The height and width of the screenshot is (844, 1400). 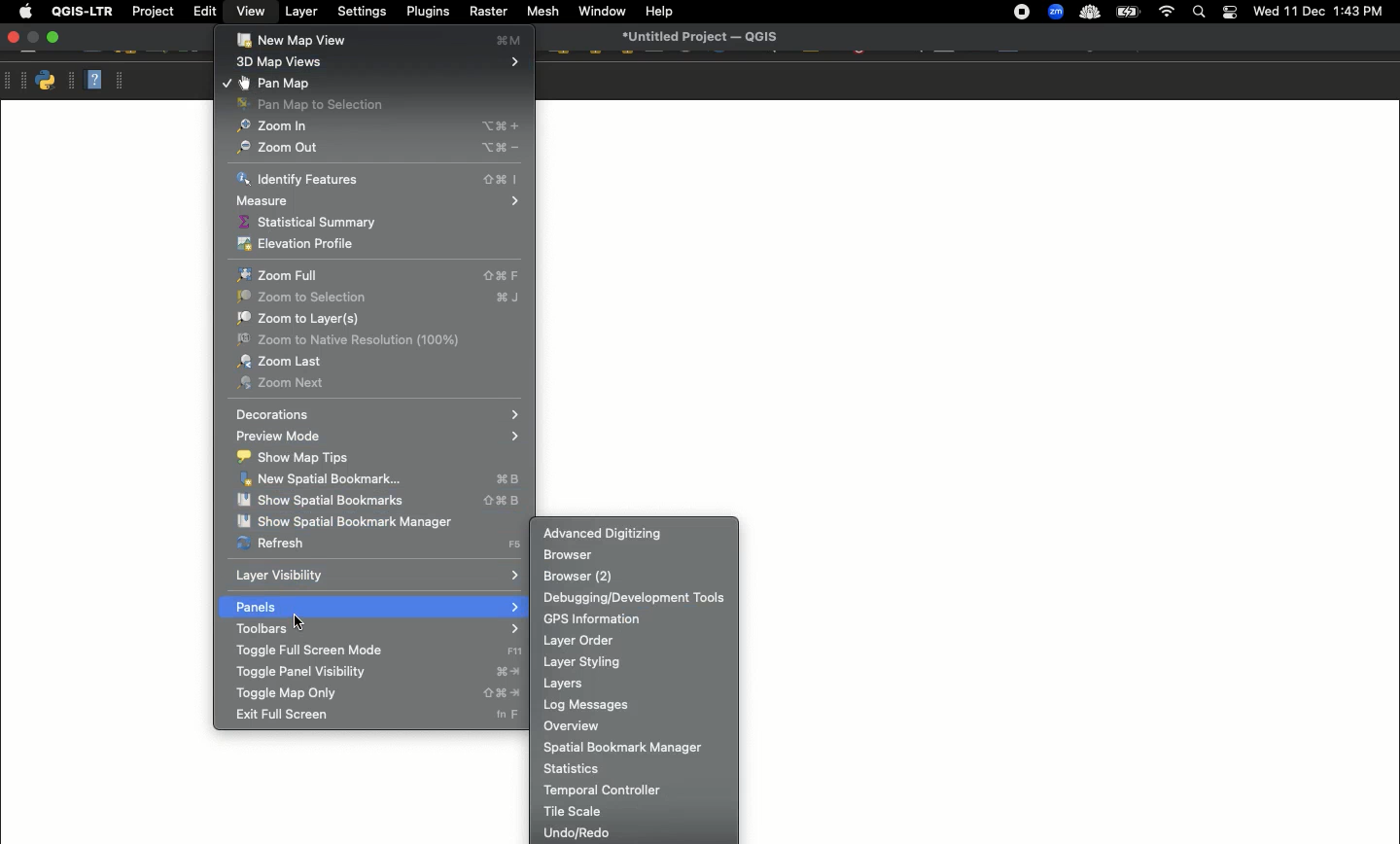 What do you see at coordinates (379, 545) in the screenshot?
I see `Refresh` at bounding box center [379, 545].